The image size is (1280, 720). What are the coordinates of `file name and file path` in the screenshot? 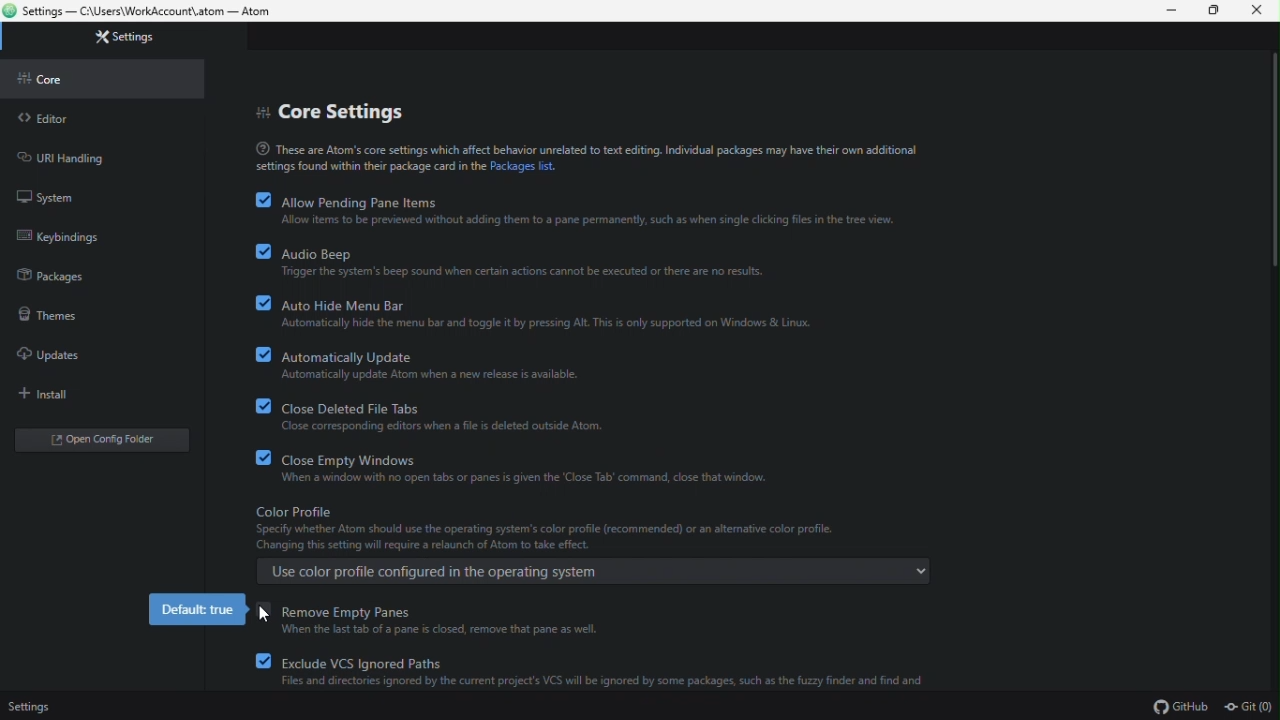 It's located at (155, 13).